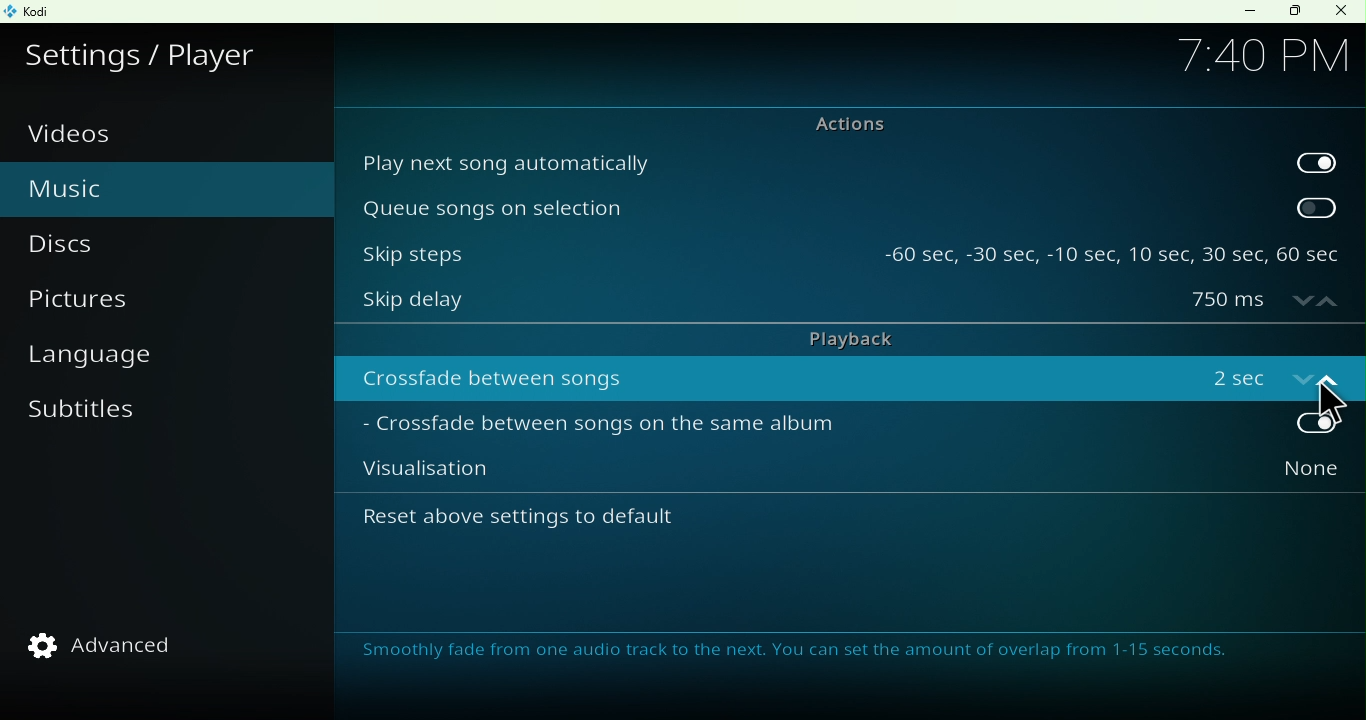 The width and height of the screenshot is (1366, 720). Describe the element at coordinates (806, 654) in the screenshot. I see `Note` at that location.